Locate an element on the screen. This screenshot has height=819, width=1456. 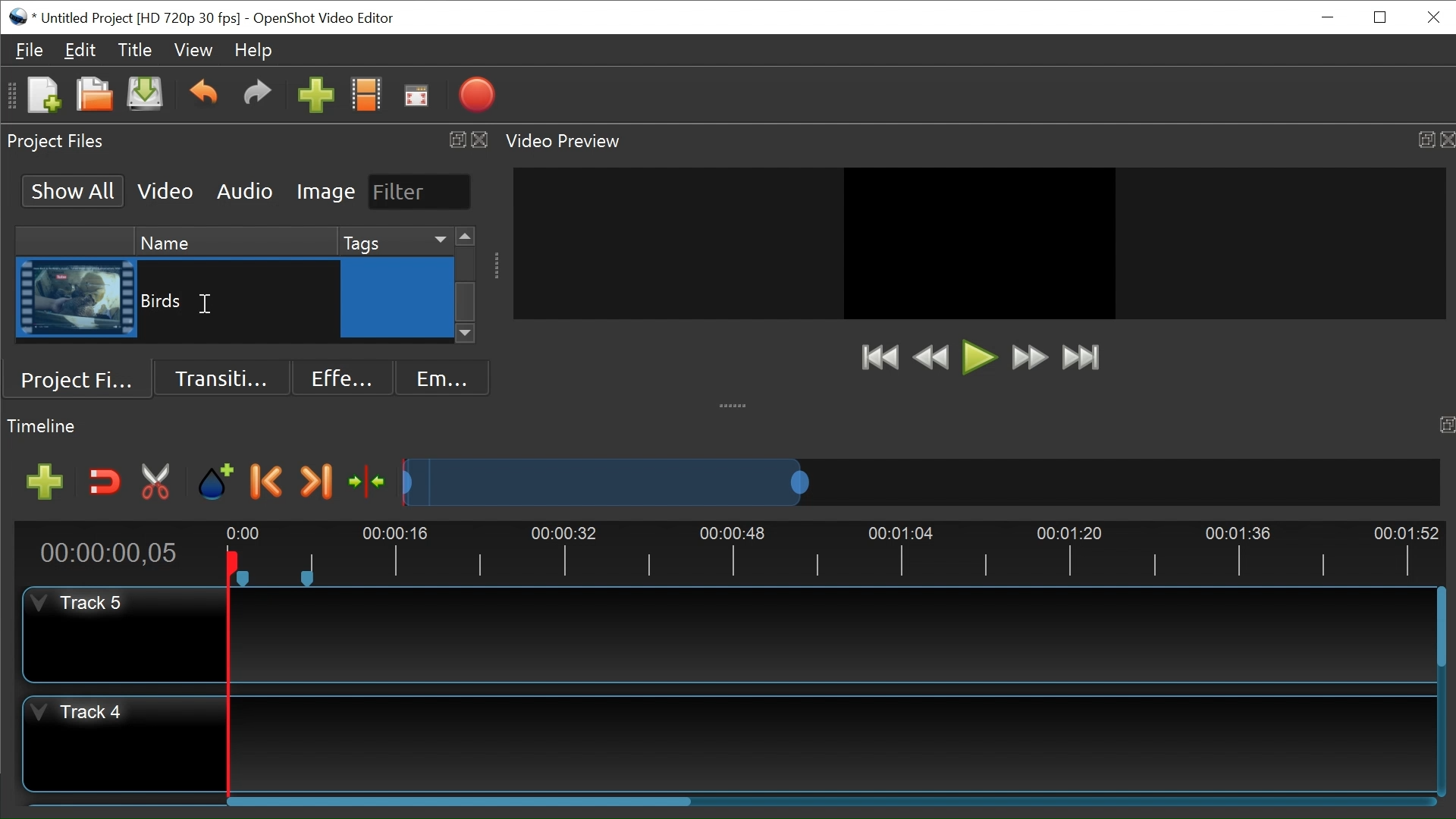
OpenShot Video Editor is located at coordinates (322, 18).